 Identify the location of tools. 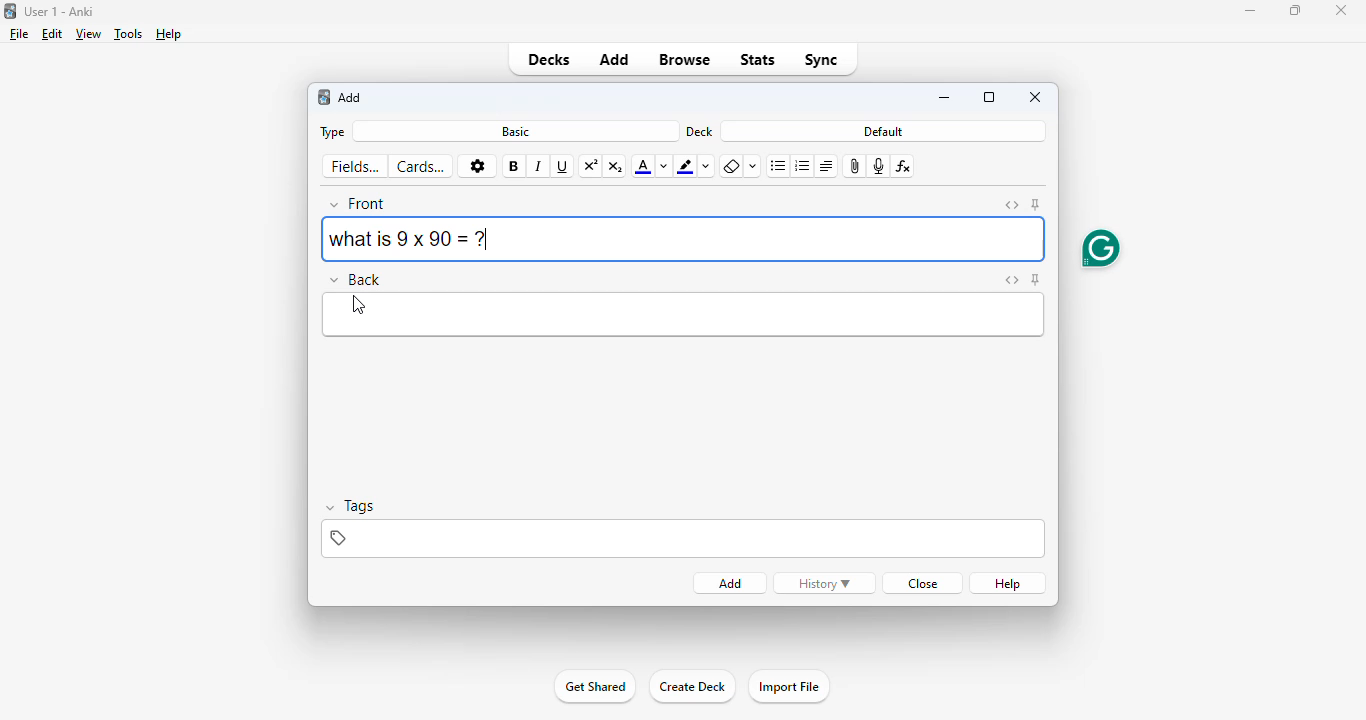
(129, 34).